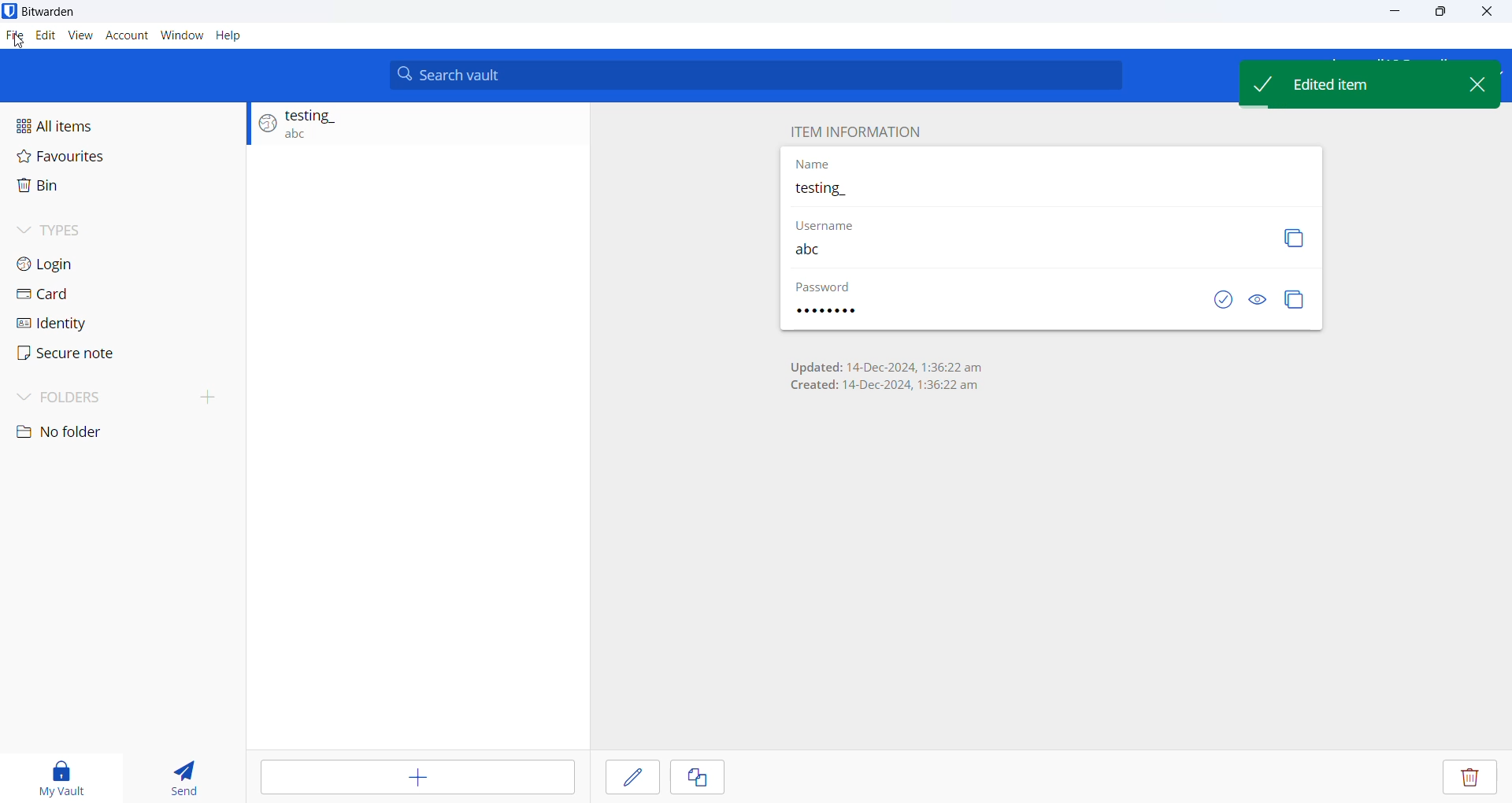 This screenshot has width=1512, height=803. What do you see at coordinates (98, 322) in the screenshot?
I see `Identity` at bounding box center [98, 322].